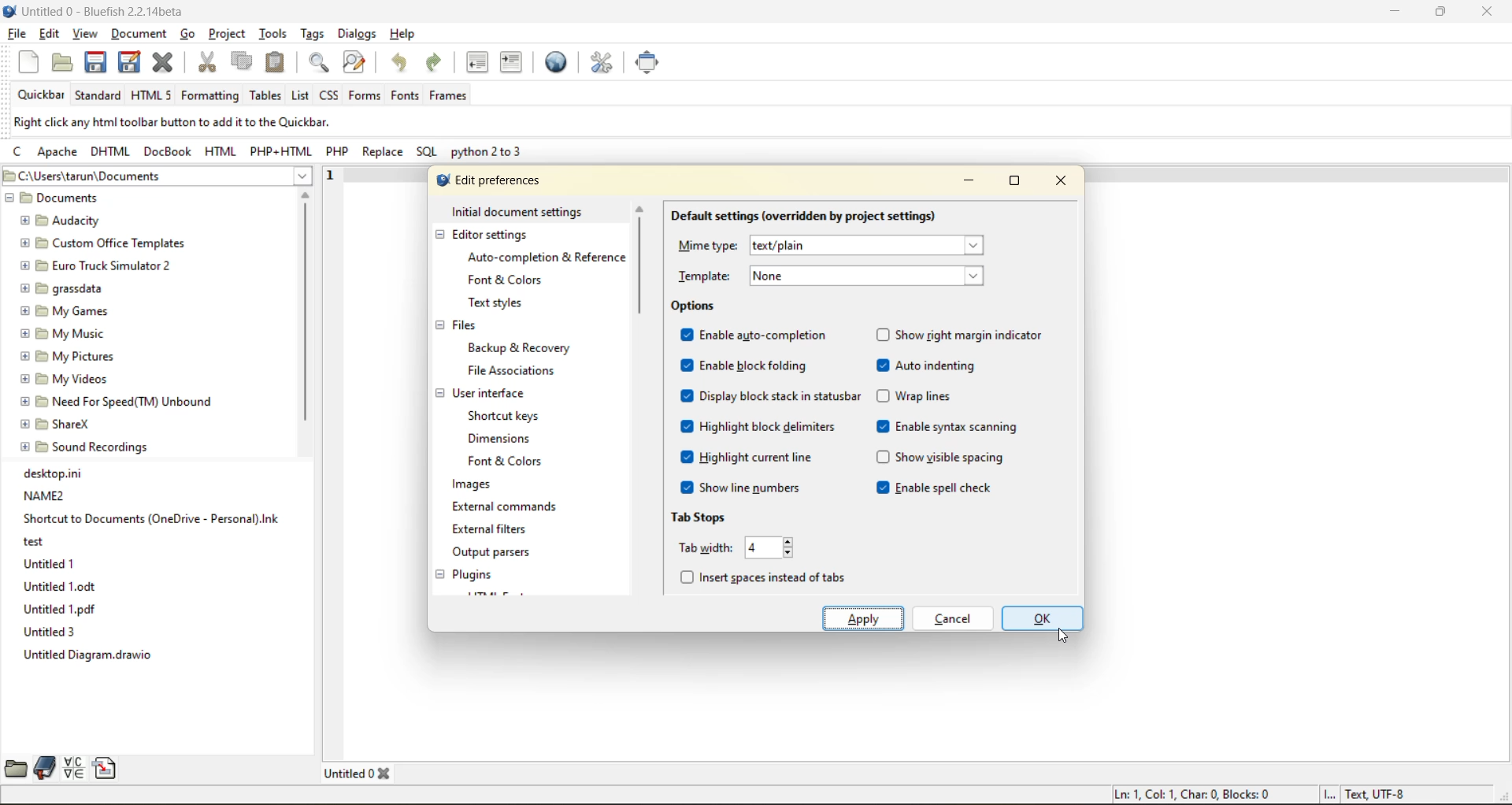  I want to click on dhtml, so click(109, 153).